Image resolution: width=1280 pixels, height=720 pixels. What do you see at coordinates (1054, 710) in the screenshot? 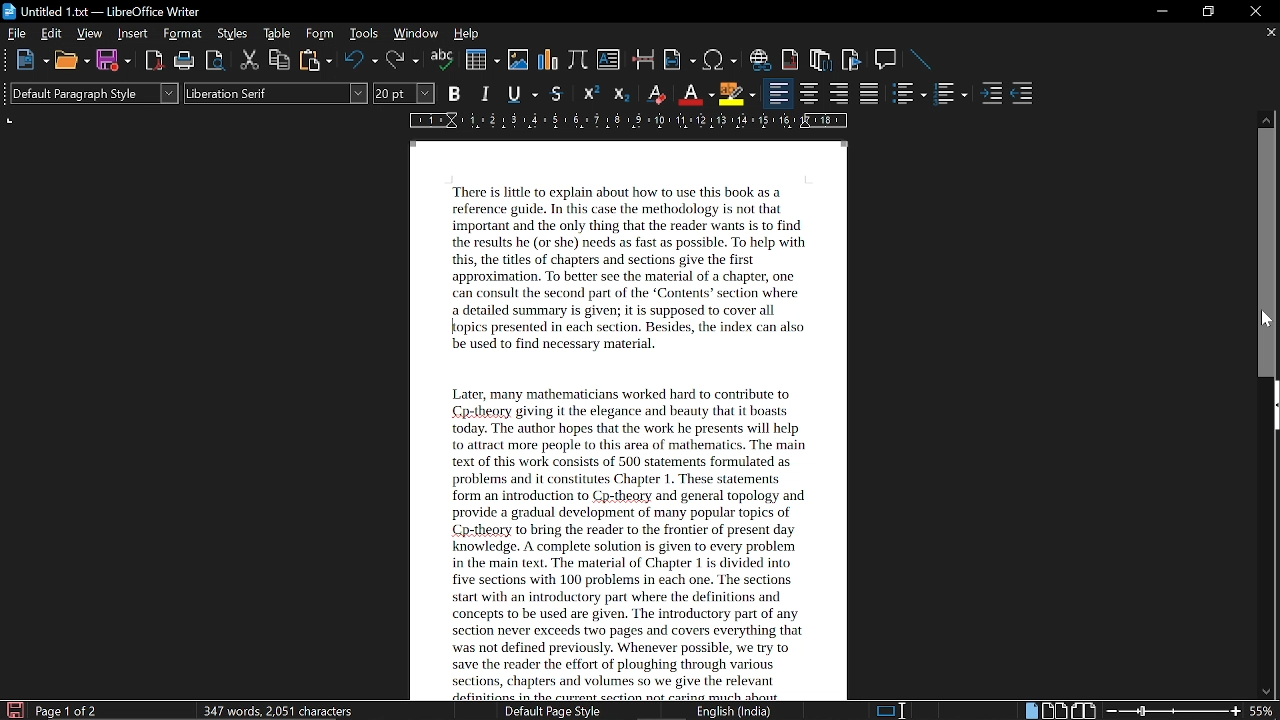
I see `multiple page view` at bounding box center [1054, 710].